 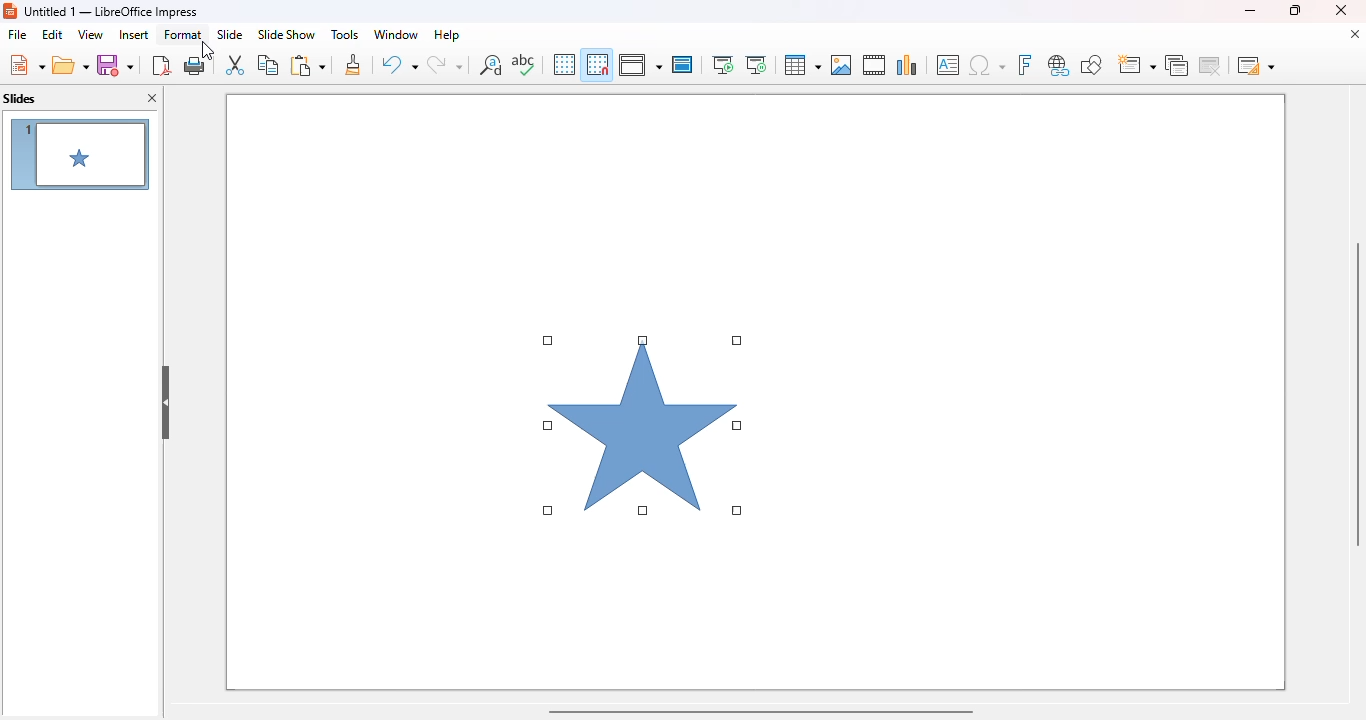 What do you see at coordinates (756, 65) in the screenshot?
I see `start from current slide` at bounding box center [756, 65].